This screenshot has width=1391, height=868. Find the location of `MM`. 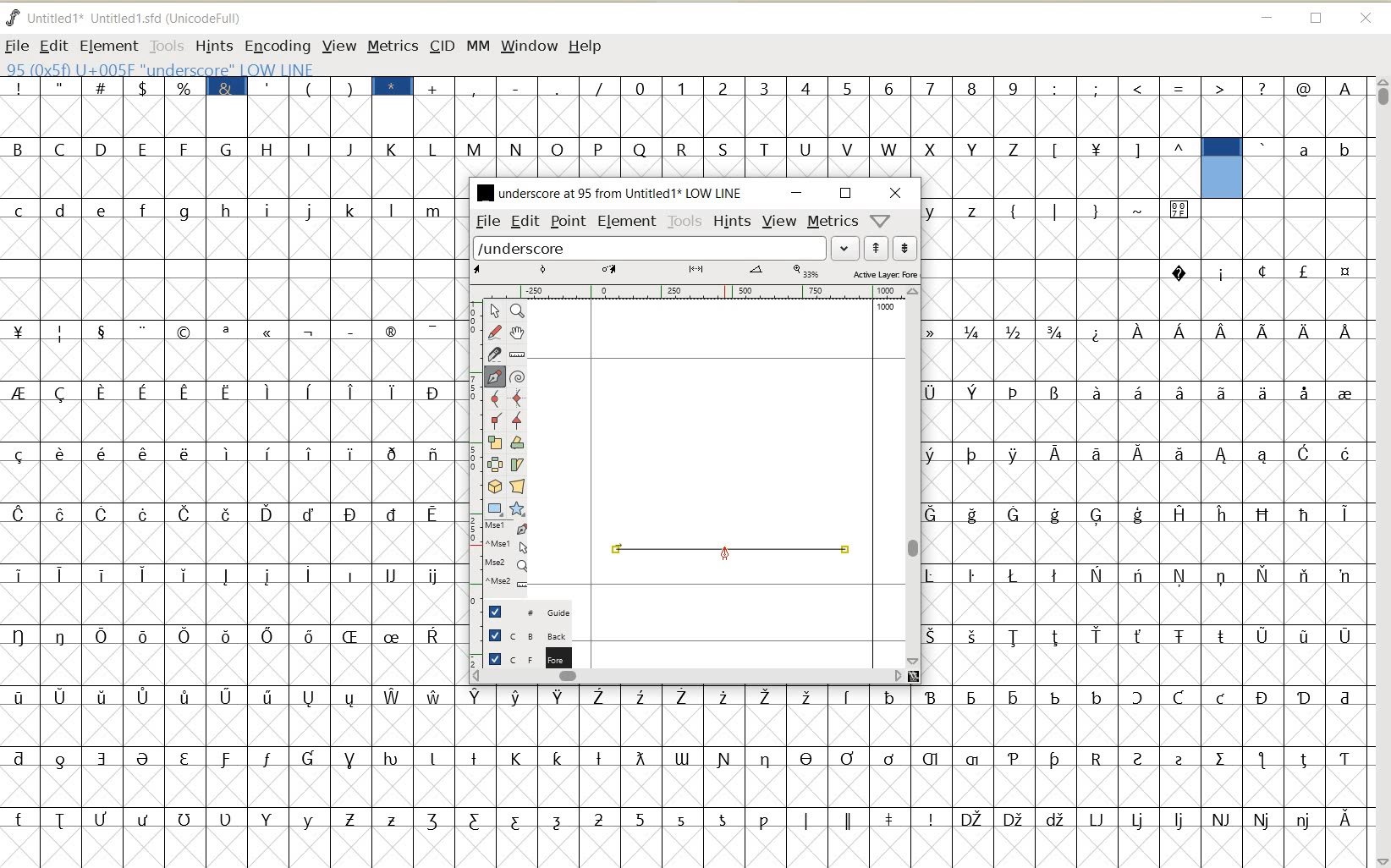

MM is located at coordinates (476, 45).